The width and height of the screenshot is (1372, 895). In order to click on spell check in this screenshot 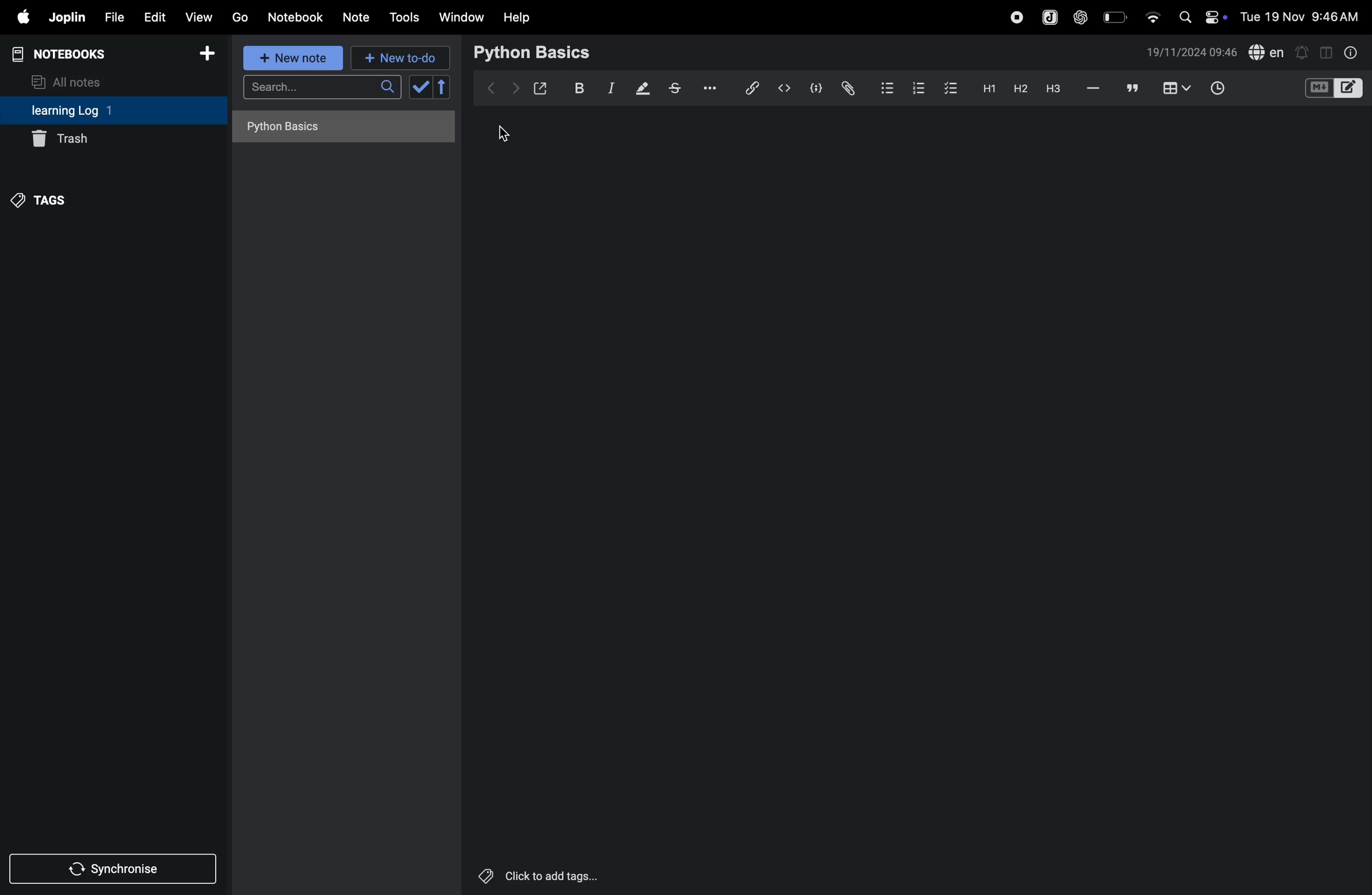, I will do `click(1267, 53)`.